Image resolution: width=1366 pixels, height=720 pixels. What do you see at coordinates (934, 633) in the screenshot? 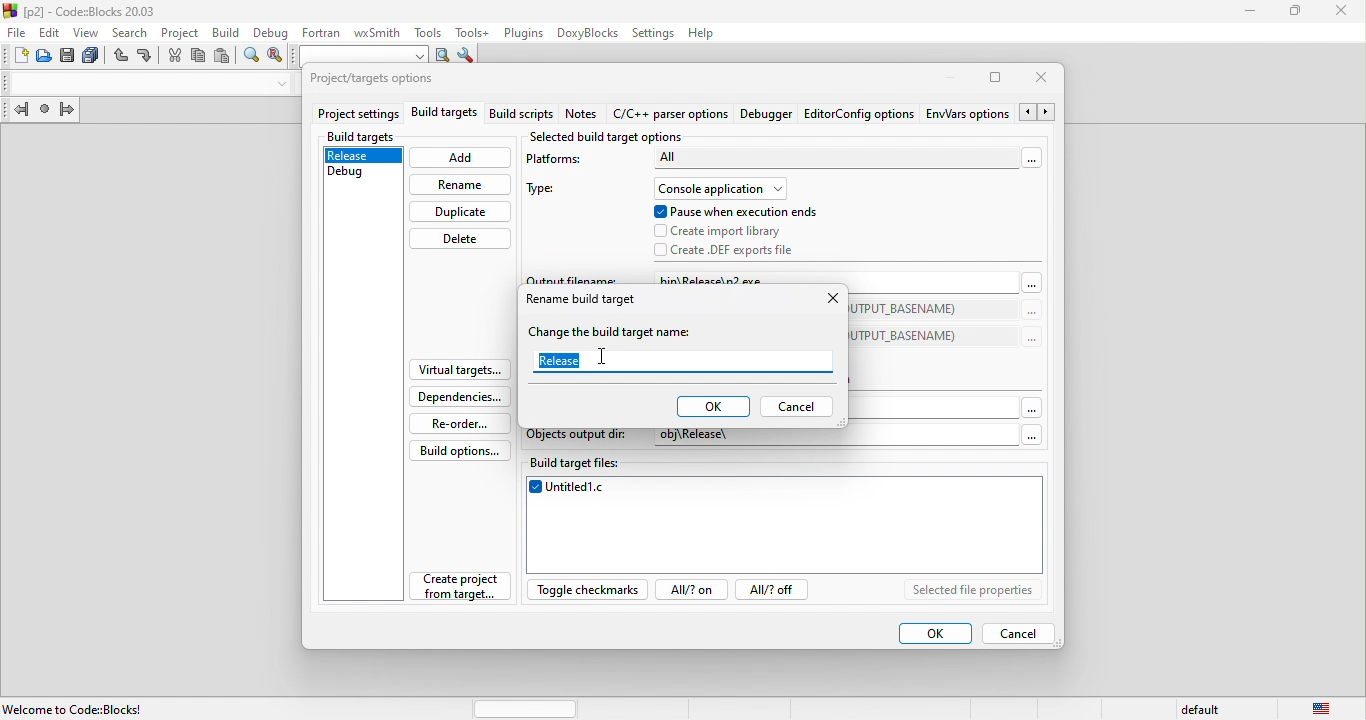
I see `ok` at bounding box center [934, 633].